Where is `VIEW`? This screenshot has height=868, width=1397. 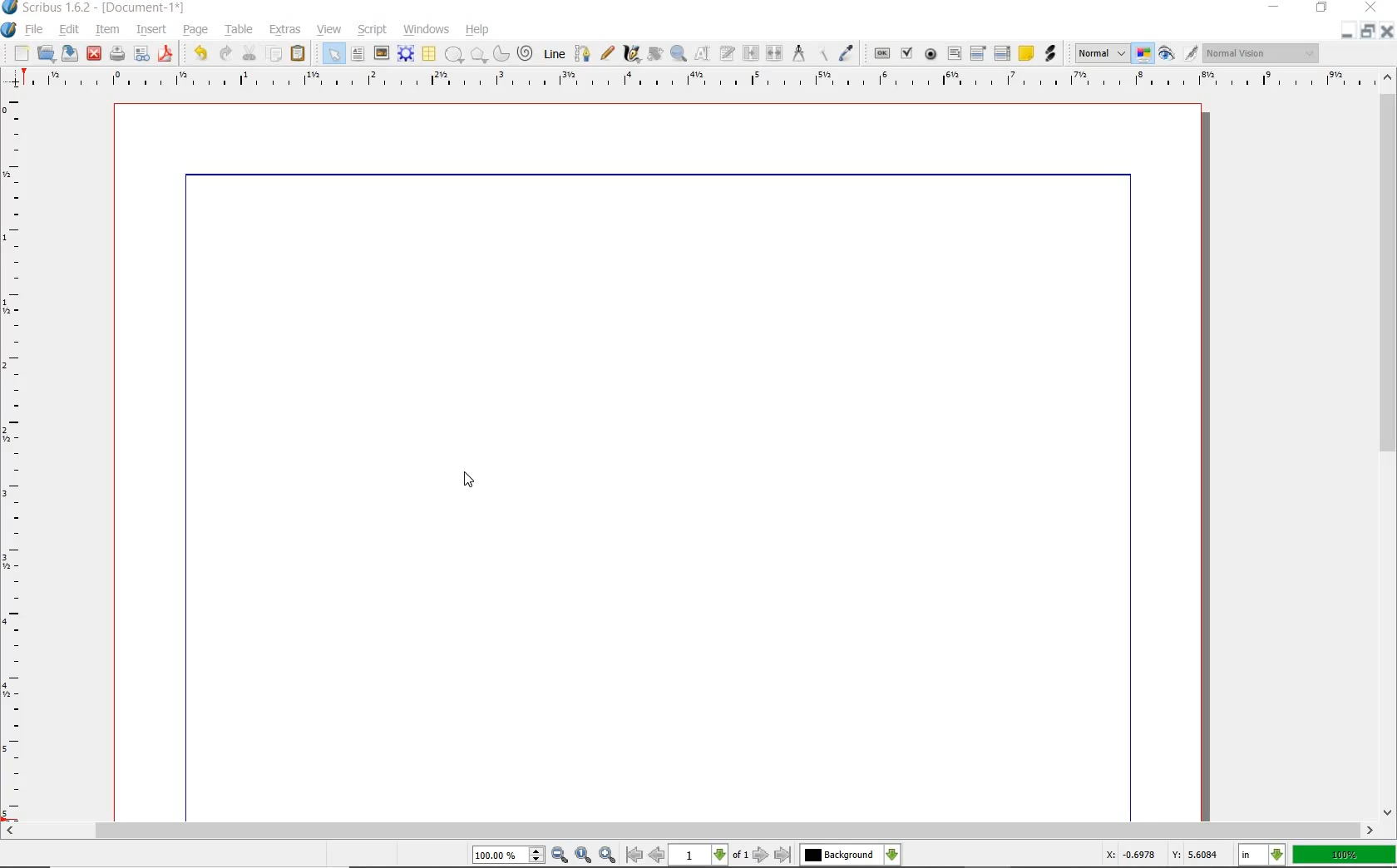
VIEW is located at coordinates (329, 28).